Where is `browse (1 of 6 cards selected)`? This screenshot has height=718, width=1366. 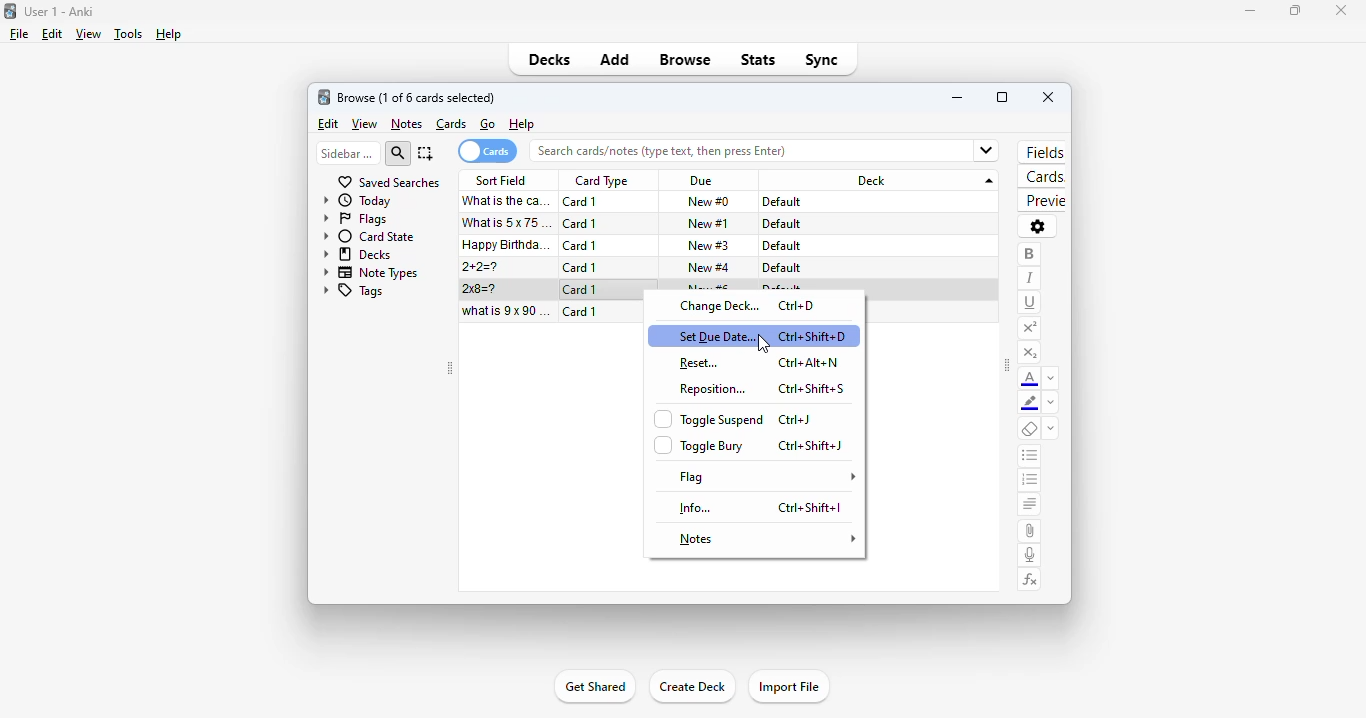 browse (1 of 6 cards selected) is located at coordinates (417, 97).